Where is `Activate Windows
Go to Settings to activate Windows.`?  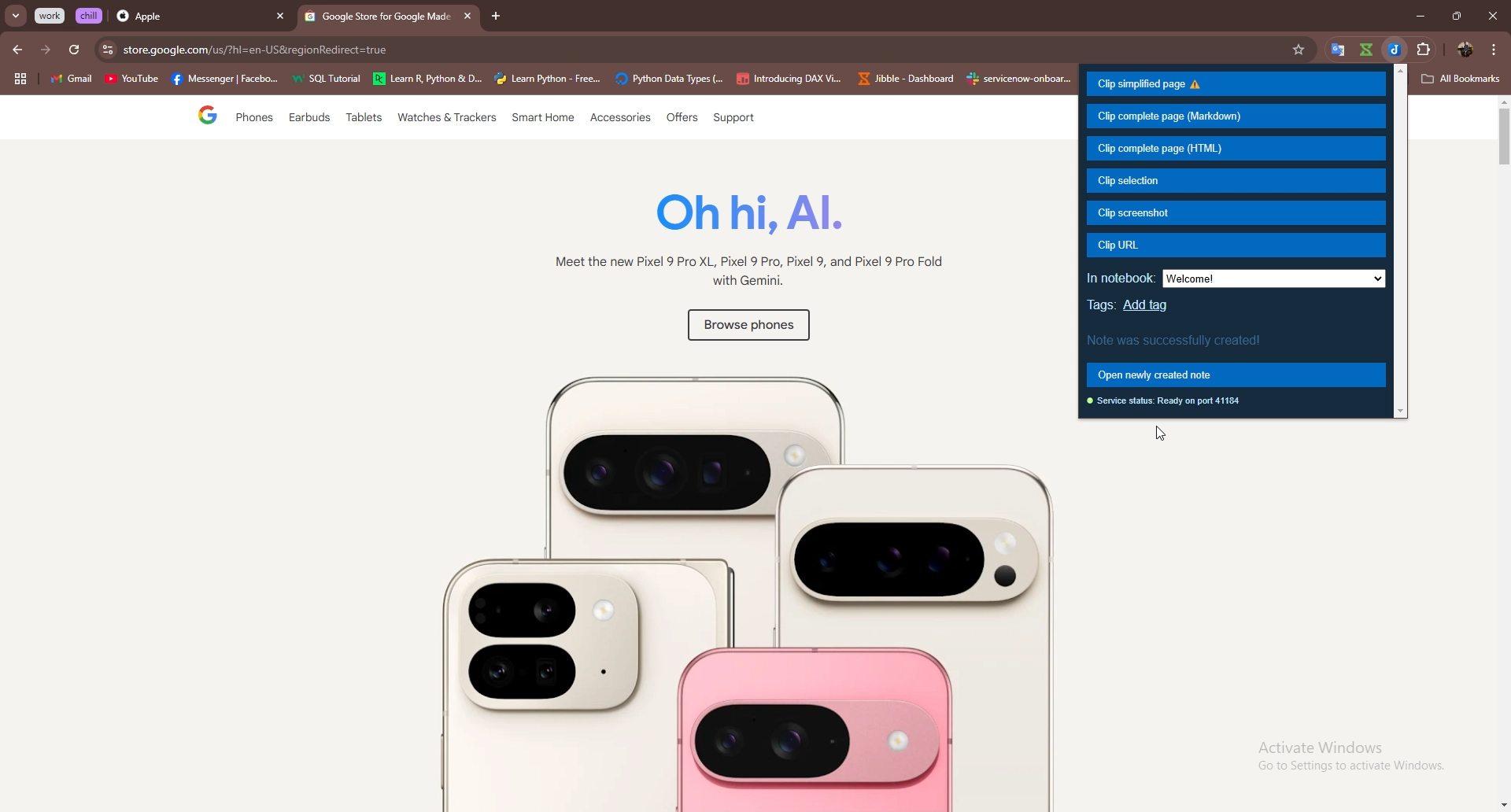
Activate Windows
Go to Settings to activate Windows. is located at coordinates (1341, 757).